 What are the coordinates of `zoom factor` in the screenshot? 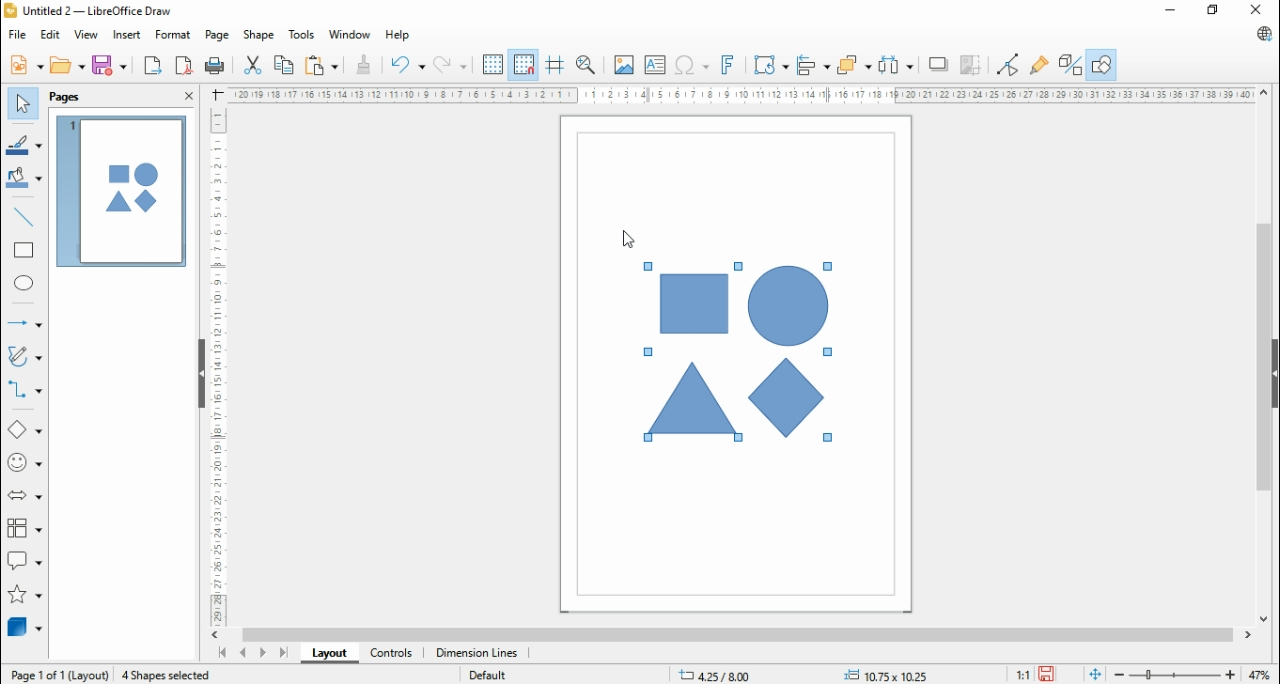 It's located at (1260, 673).